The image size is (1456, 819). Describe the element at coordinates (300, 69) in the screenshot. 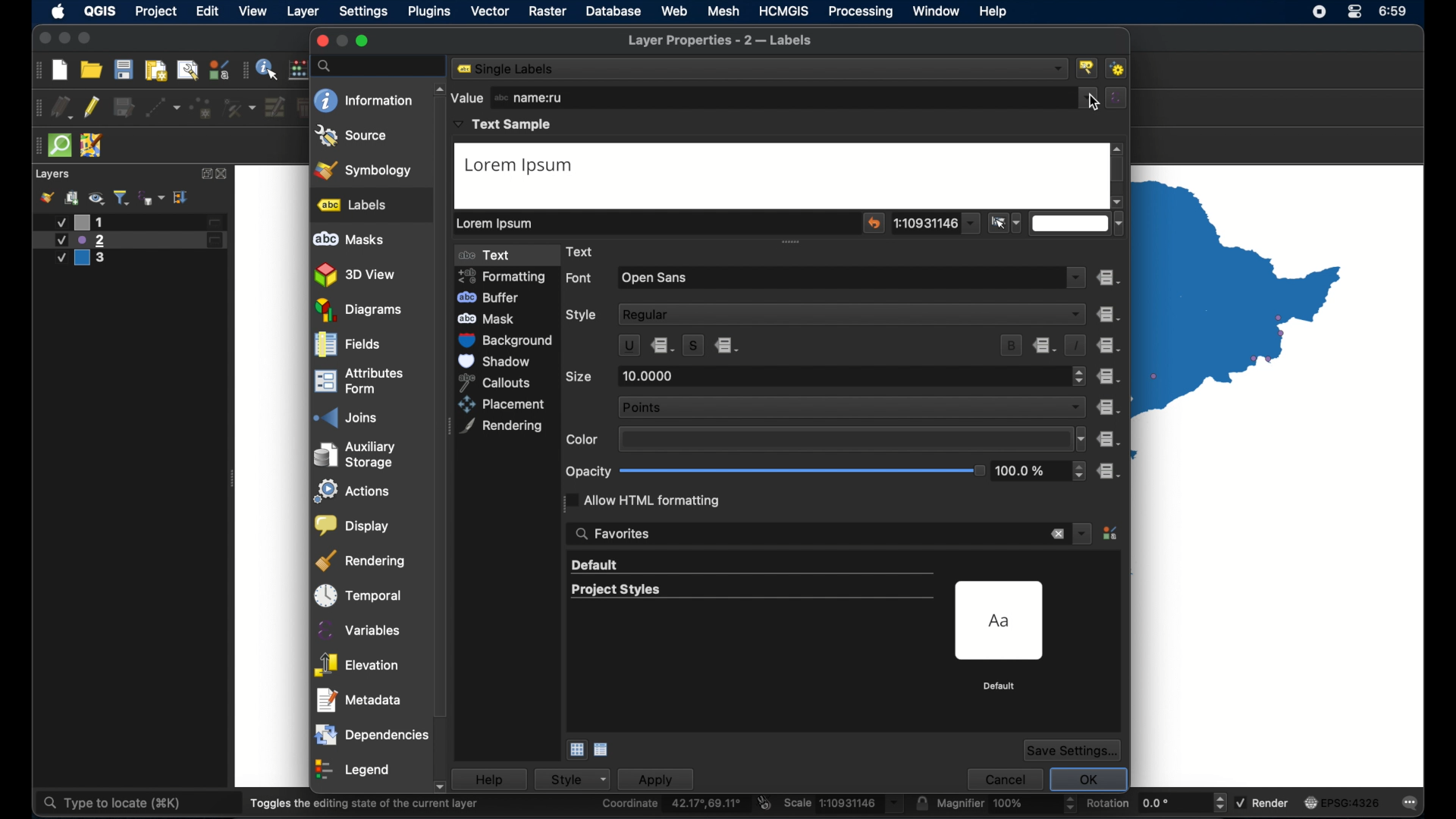

I see `open field calculator` at that location.